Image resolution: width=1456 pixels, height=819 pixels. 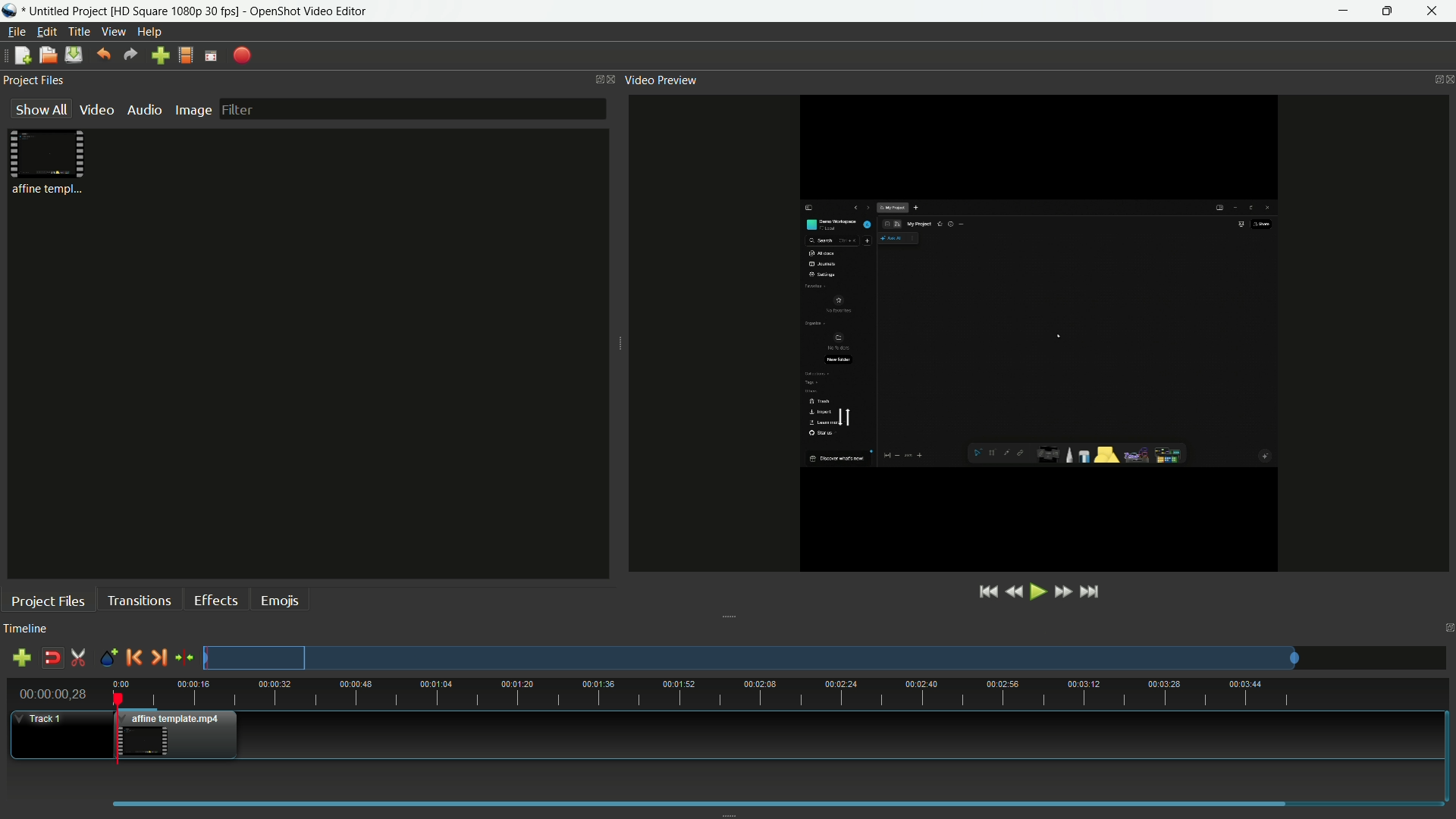 I want to click on close timeline, so click(x=1447, y=628).